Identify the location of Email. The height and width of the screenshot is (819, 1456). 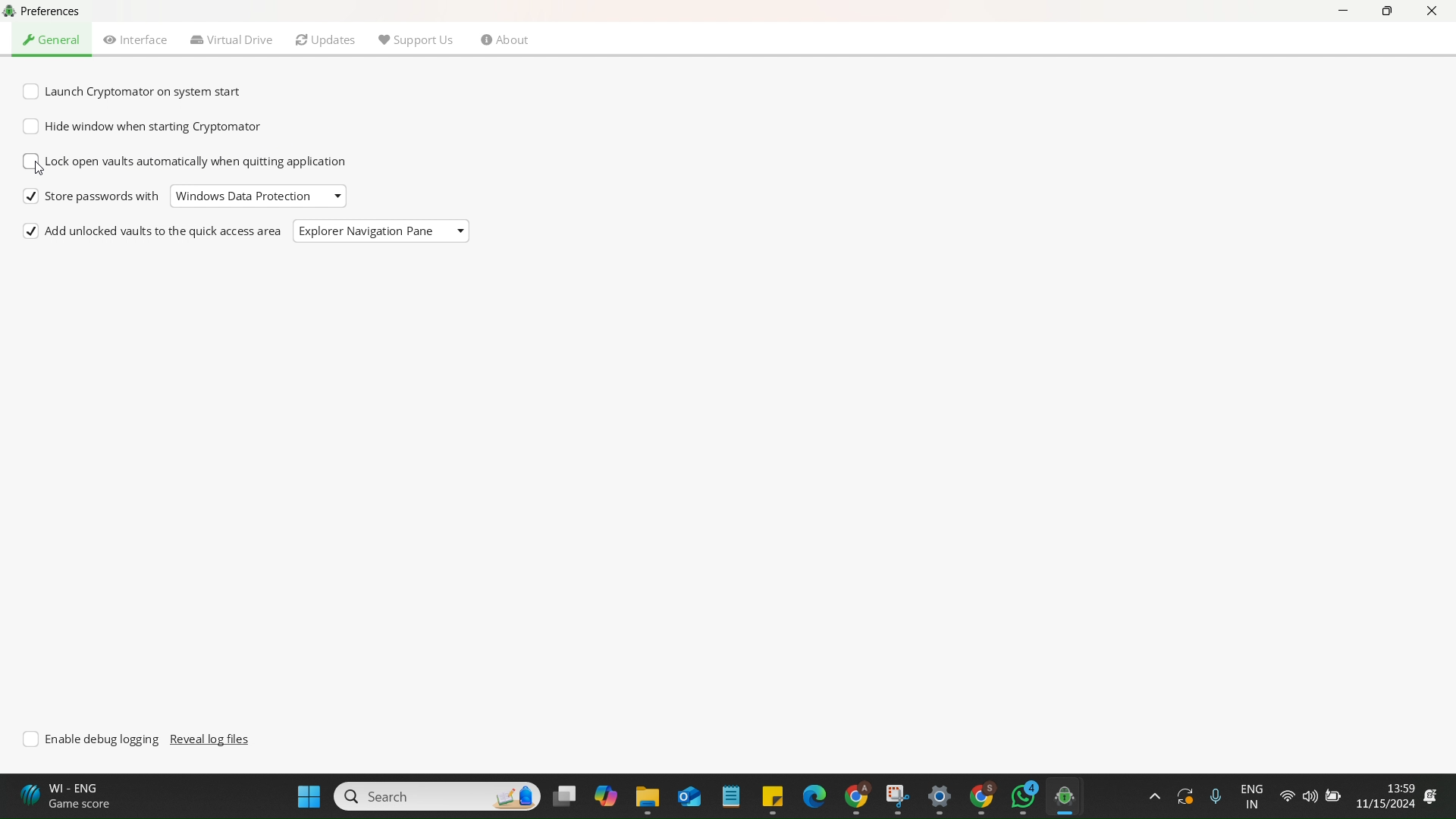
(688, 797).